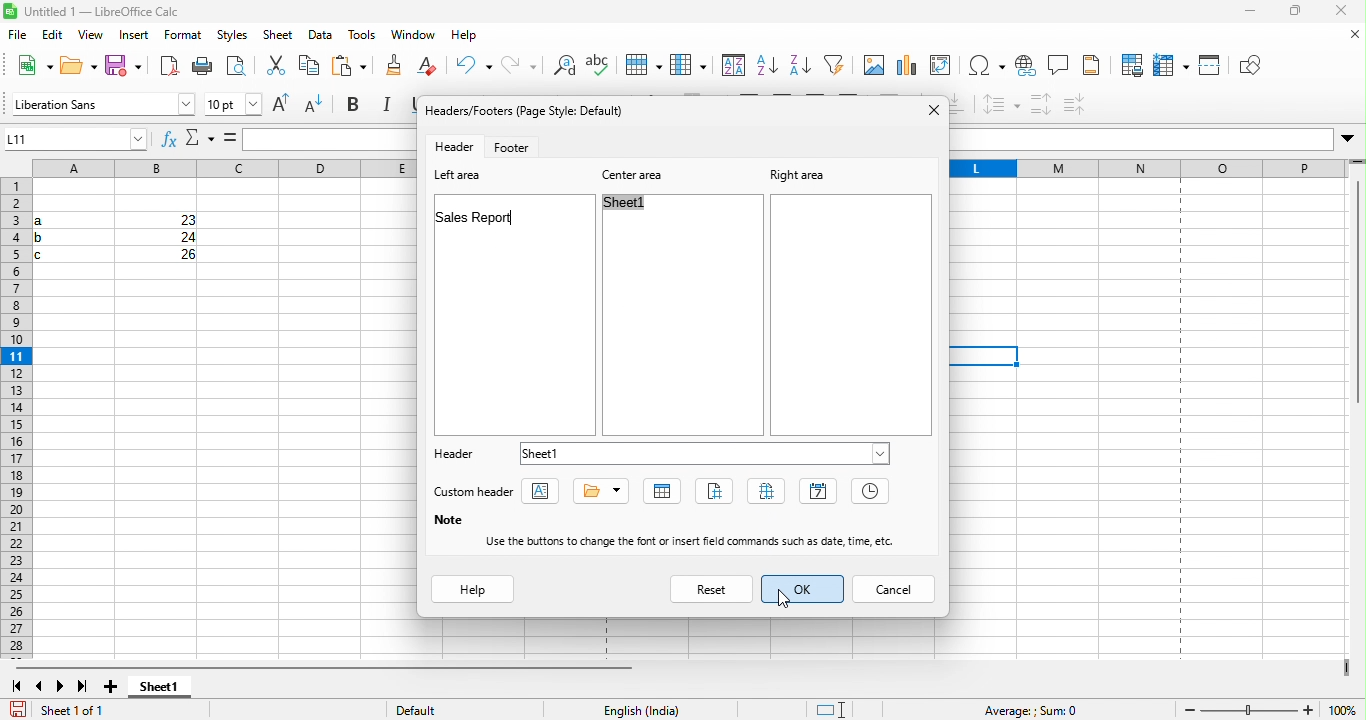 The height and width of the screenshot is (720, 1366). What do you see at coordinates (15, 419) in the screenshot?
I see `rows` at bounding box center [15, 419].